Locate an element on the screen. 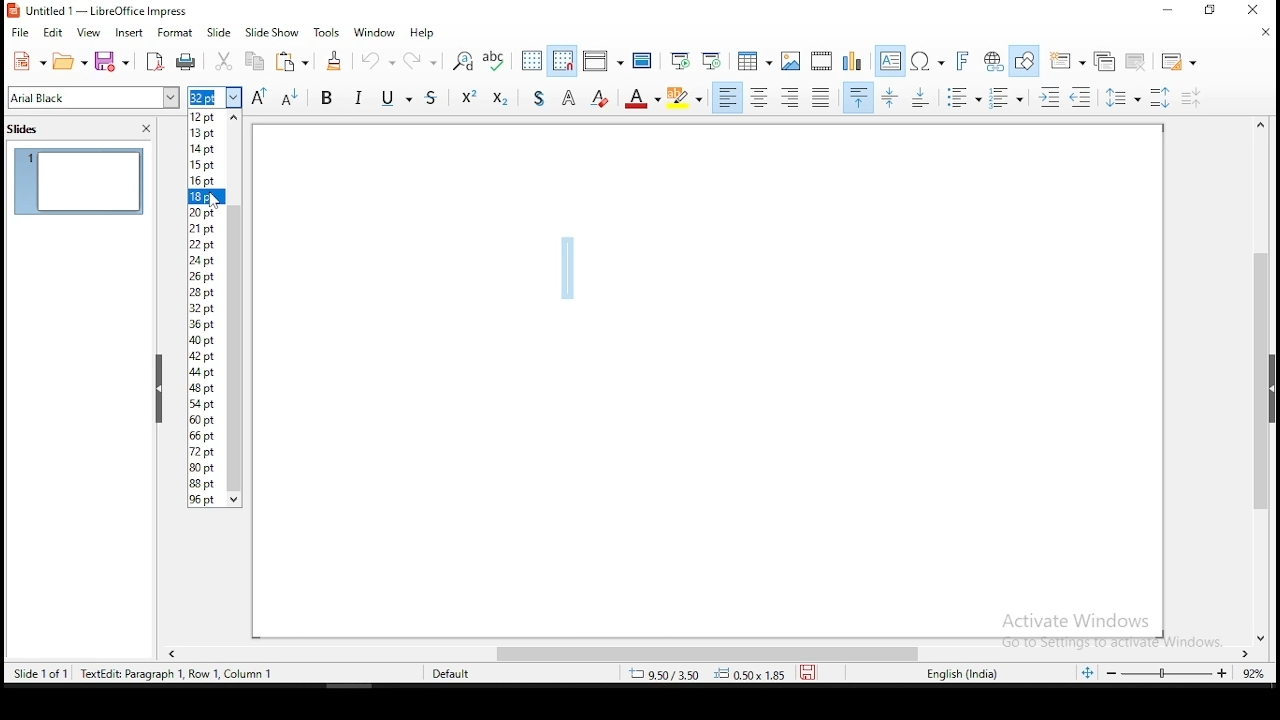  22 is located at coordinates (207, 243).